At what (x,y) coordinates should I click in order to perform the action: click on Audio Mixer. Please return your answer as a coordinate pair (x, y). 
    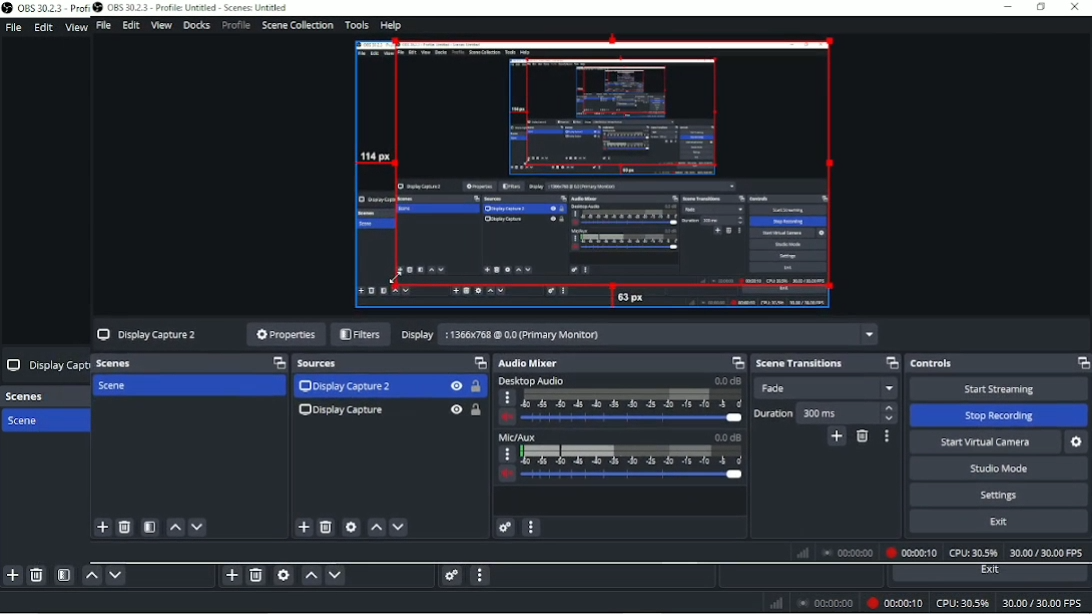
    Looking at the image, I should click on (540, 363).